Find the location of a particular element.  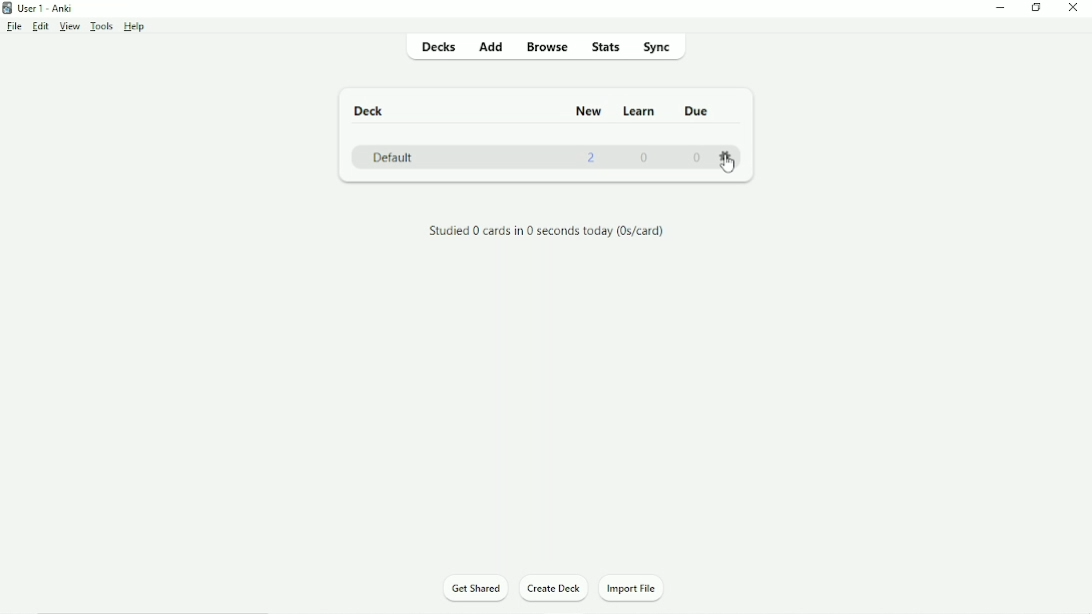

Browse is located at coordinates (548, 46).